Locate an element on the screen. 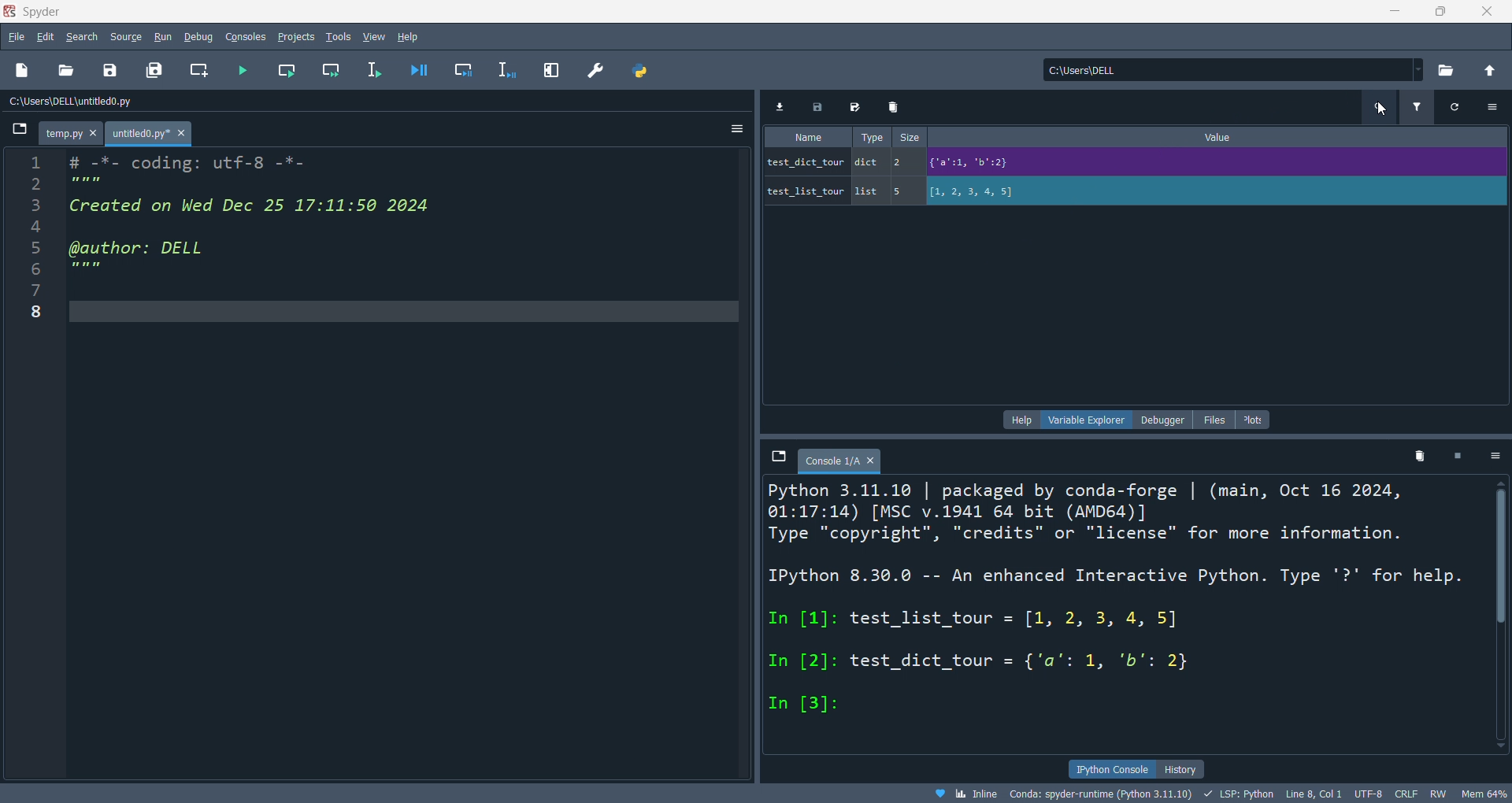 Image resolution: width=1512 pixels, height=803 pixels. # -T- coding: utTt-8 -"-
Created on Wed Dec 25 17:11:50 2024
(@author: DELL is located at coordinates (263, 213).